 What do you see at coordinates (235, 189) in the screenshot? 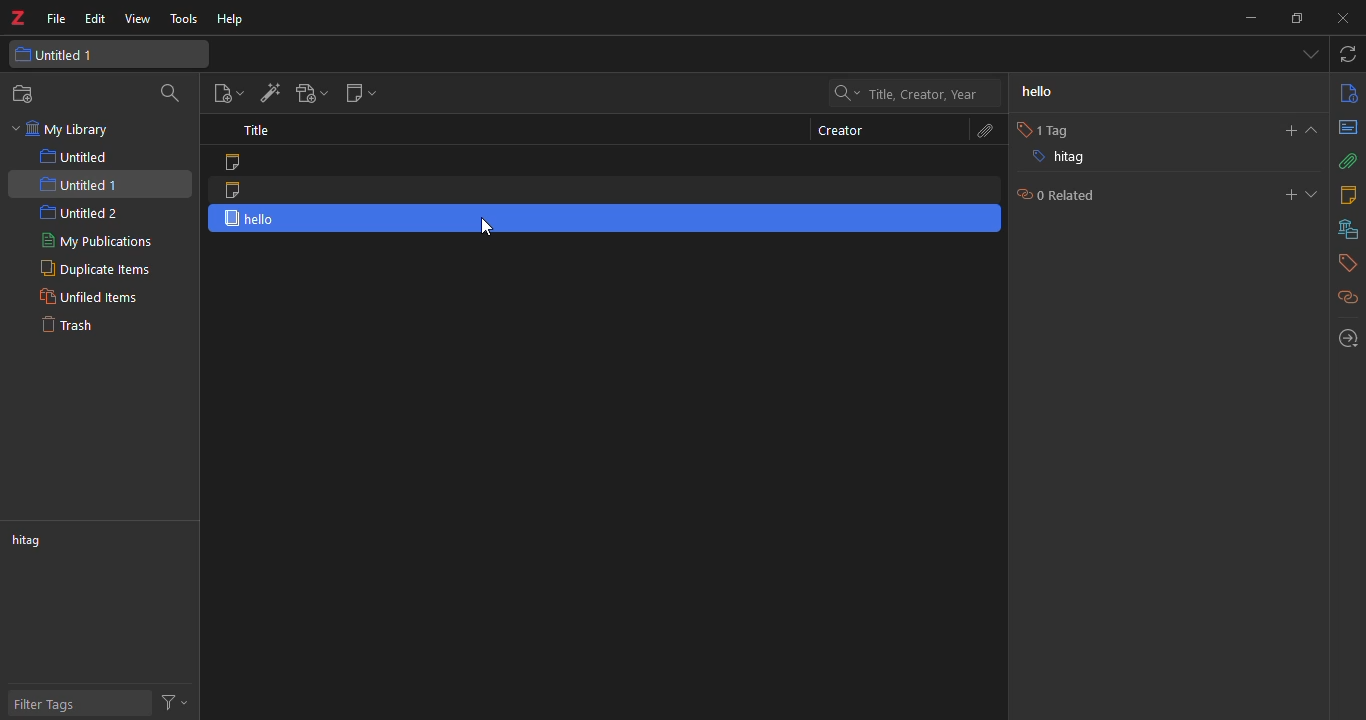
I see `note` at bounding box center [235, 189].